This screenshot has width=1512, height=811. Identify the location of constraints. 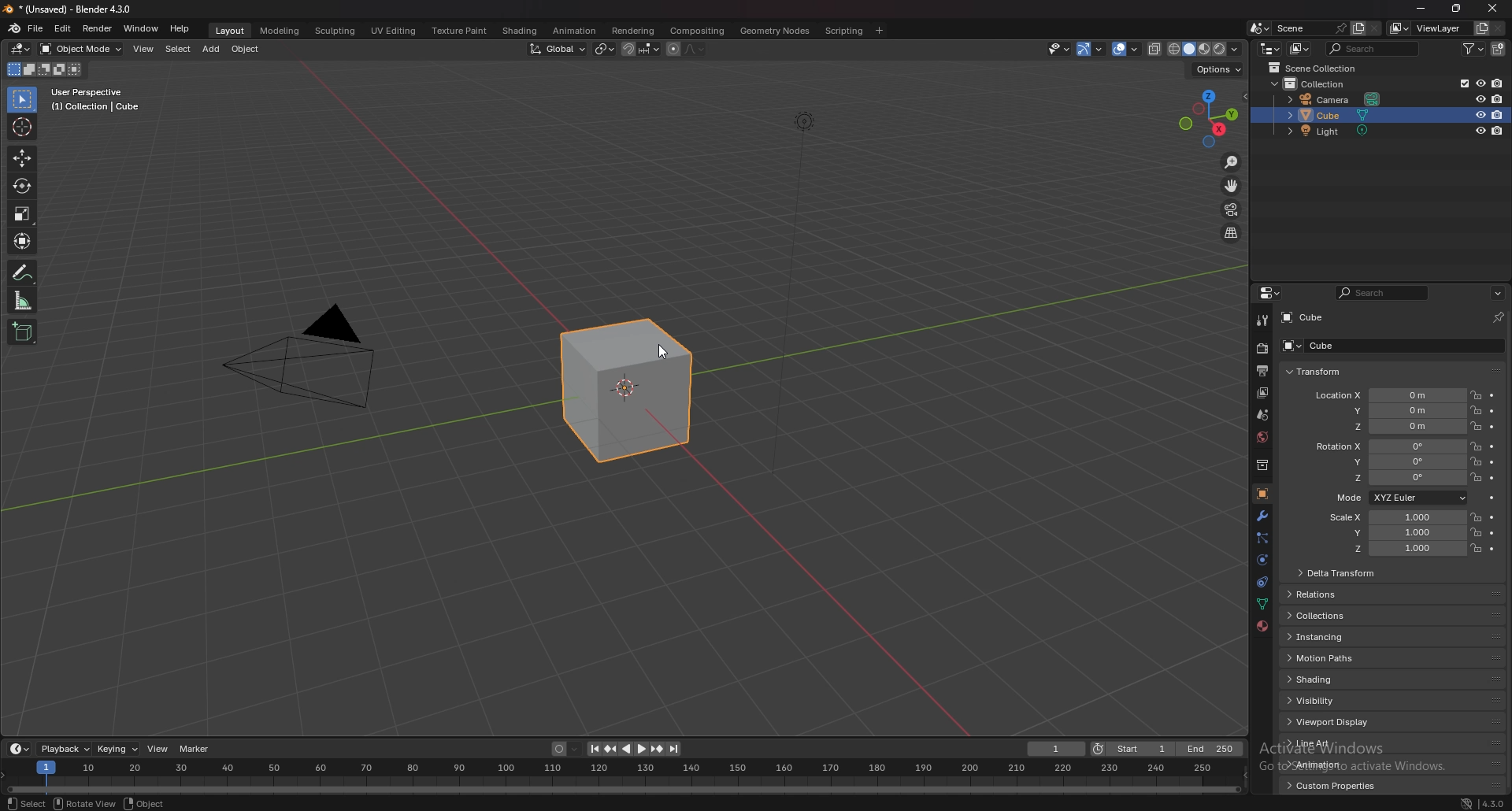
(1262, 581).